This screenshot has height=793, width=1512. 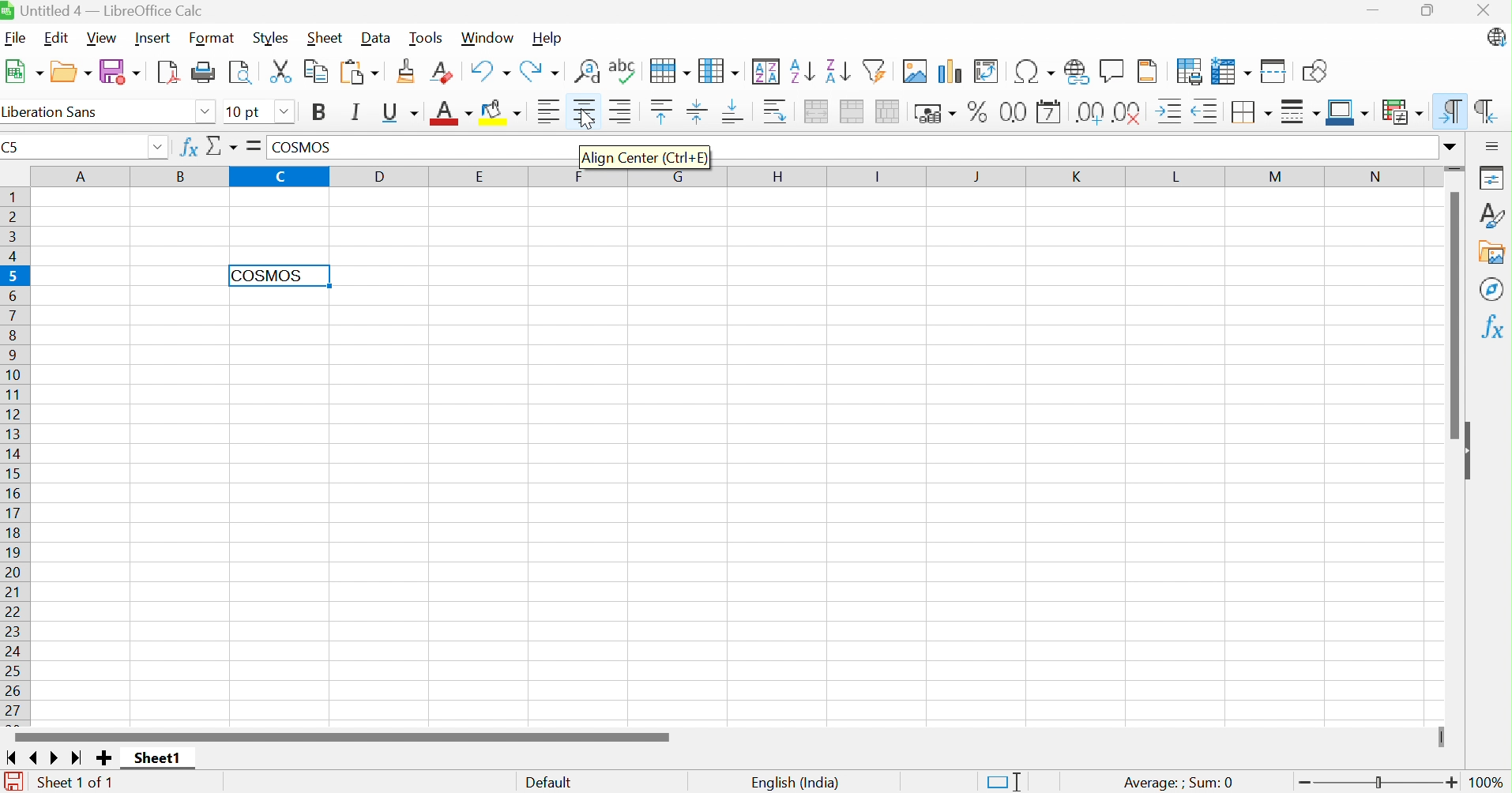 I want to click on Formula, so click(x=254, y=147).